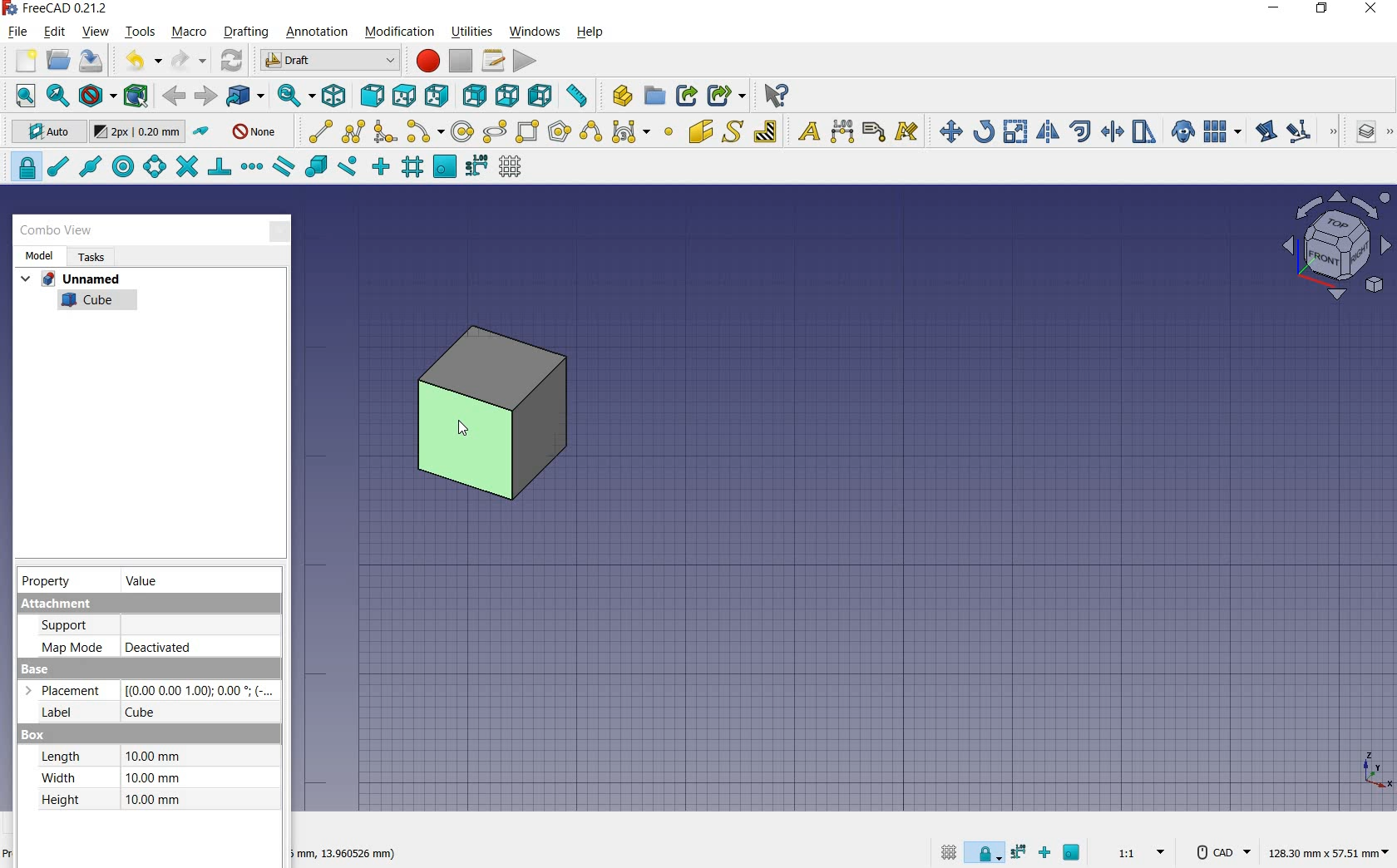 This screenshot has height=868, width=1397. What do you see at coordinates (499, 413) in the screenshot?
I see `cube moved` at bounding box center [499, 413].